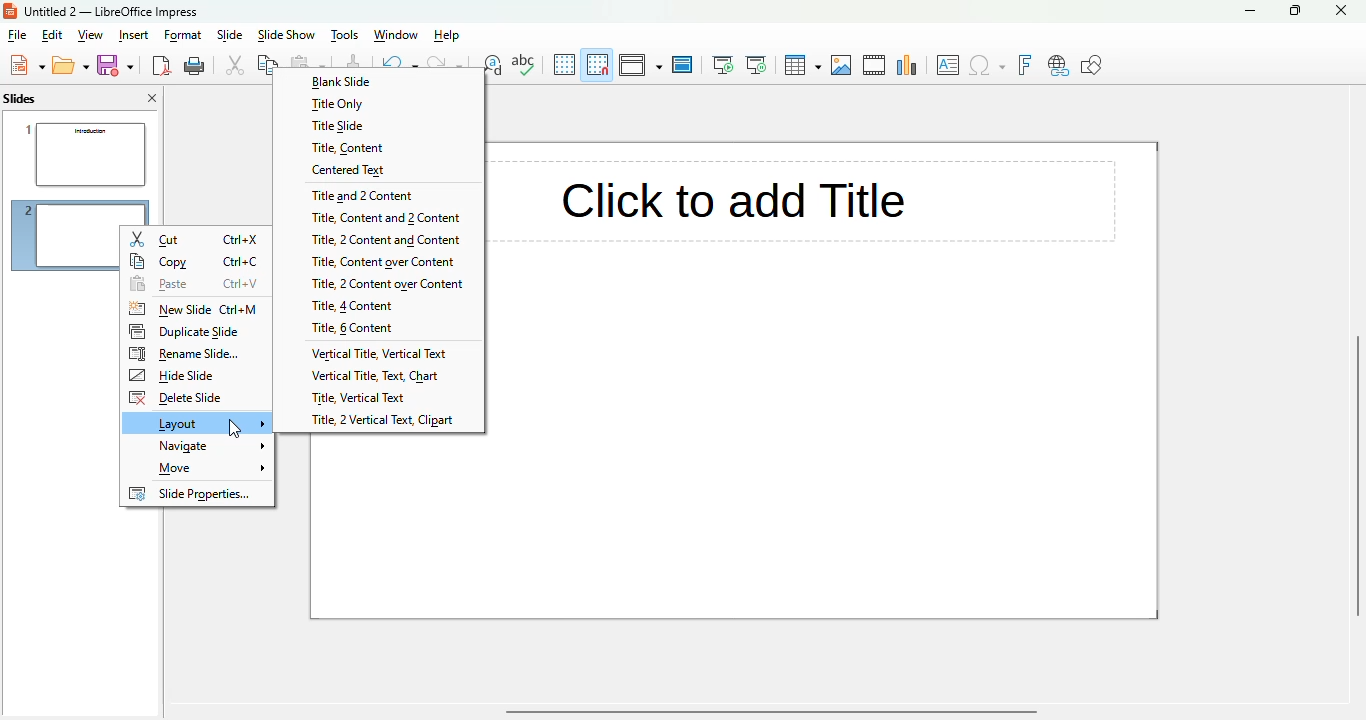 The height and width of the screenshot is (720, 1366). I want to click on master slide, so click(682, 65).